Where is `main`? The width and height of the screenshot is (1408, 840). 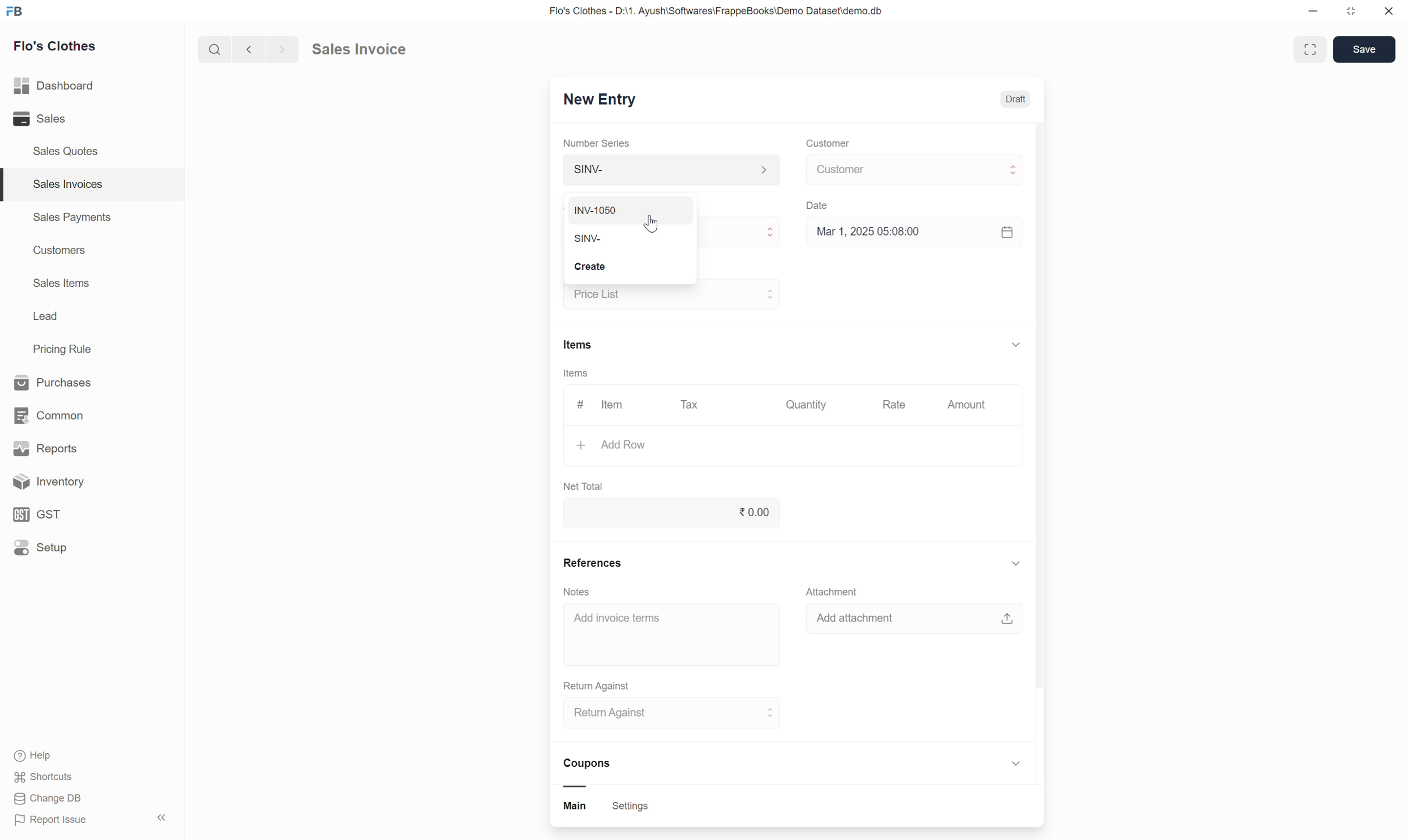
main is located at coordinates (580, 808).